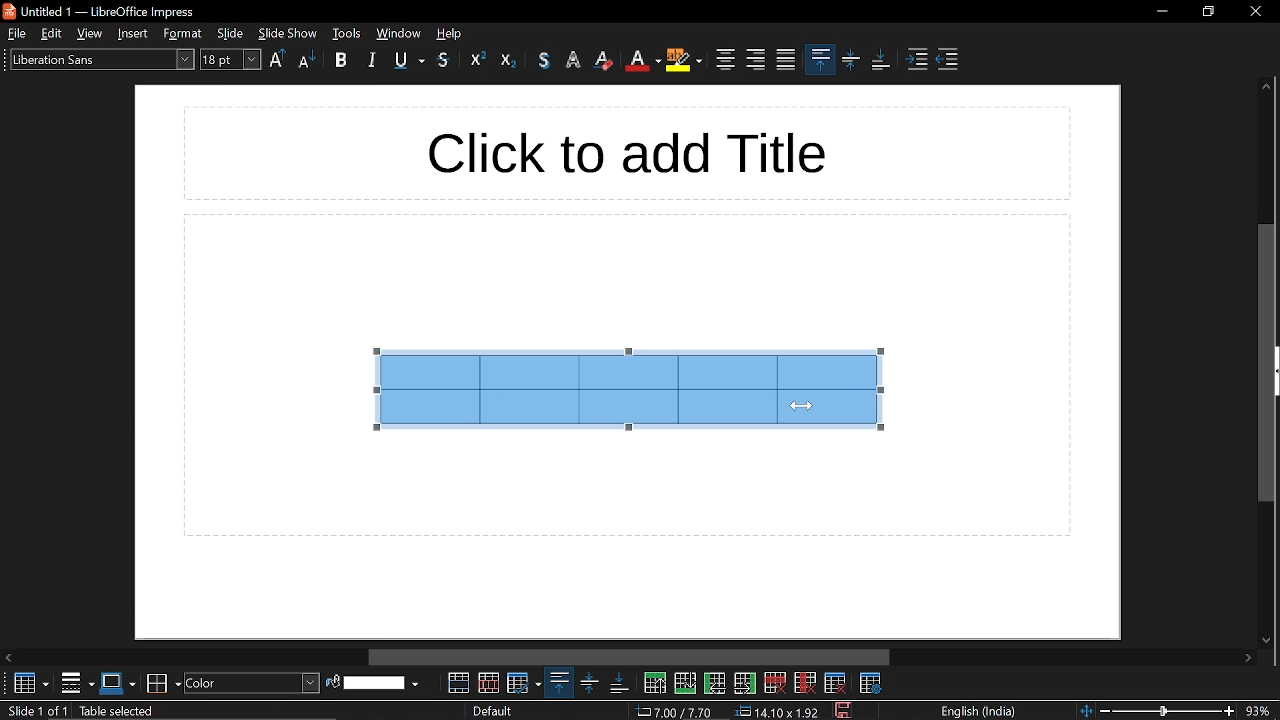  Describe the element at coordinates (1086, 709) in the screenshot. I see `fit to page ` at that location.